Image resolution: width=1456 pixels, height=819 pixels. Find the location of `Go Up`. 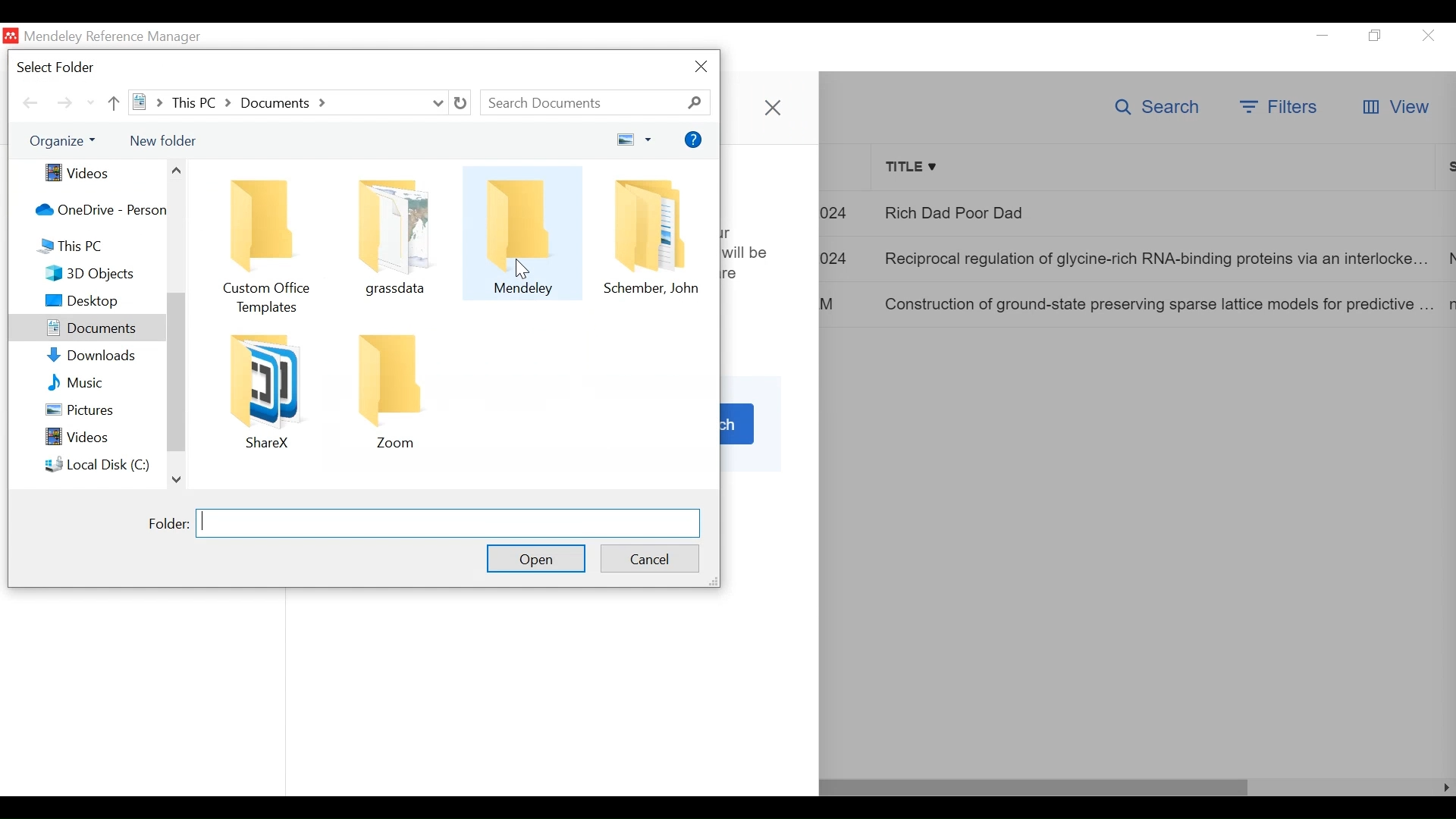

Go Up is located at coordinates (112, 103).